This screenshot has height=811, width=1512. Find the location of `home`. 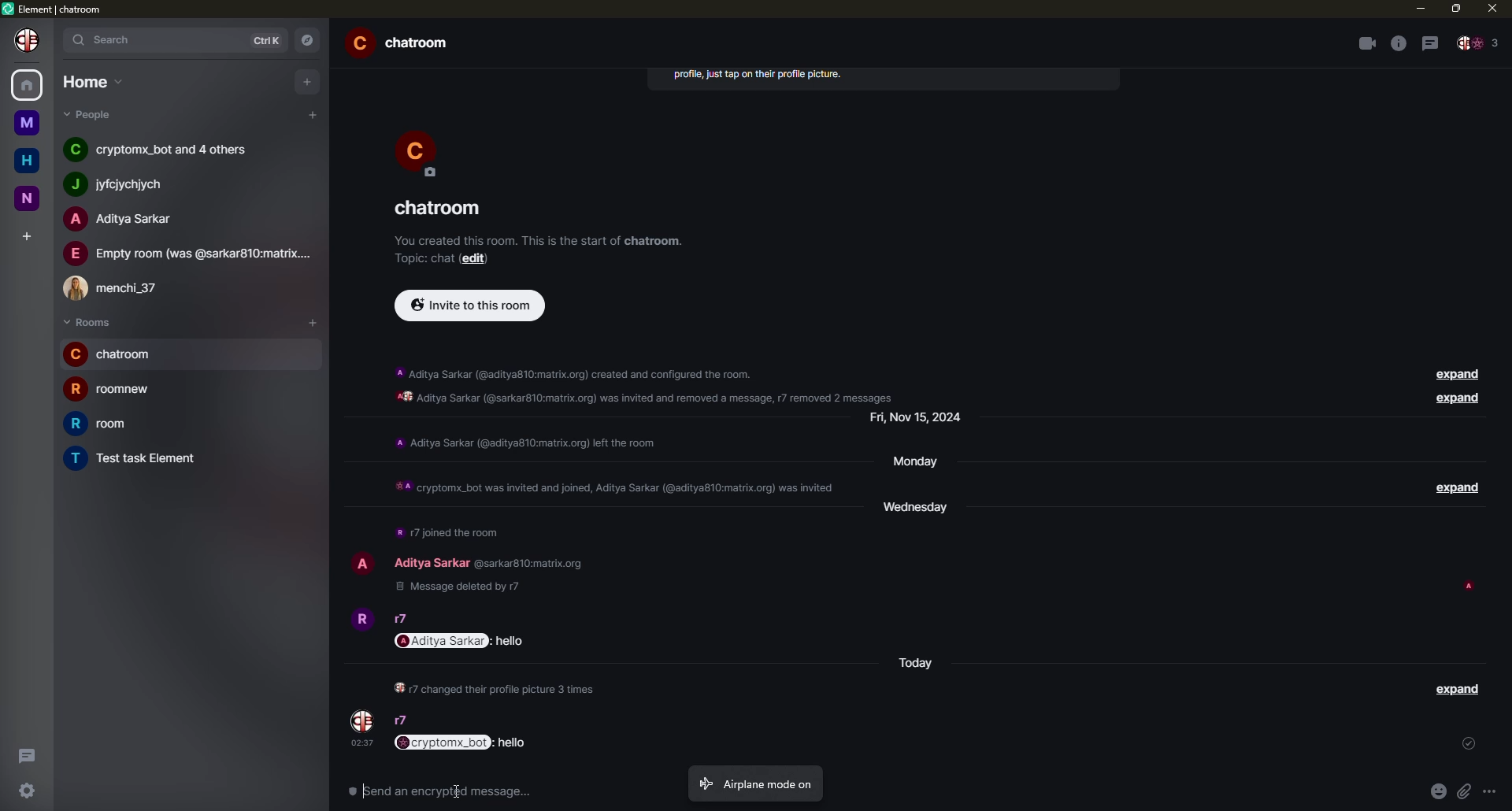

home is located at coordinates (28, 86).